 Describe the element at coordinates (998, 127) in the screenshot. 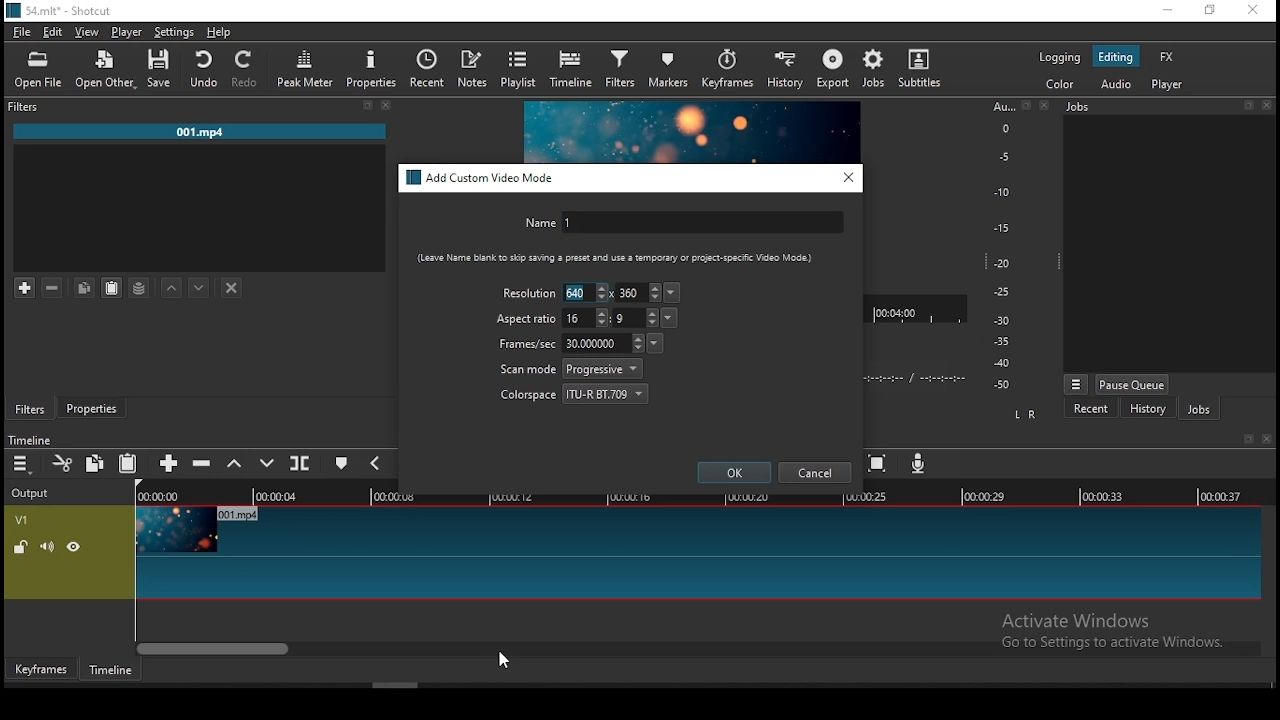

I see `o` at that location.